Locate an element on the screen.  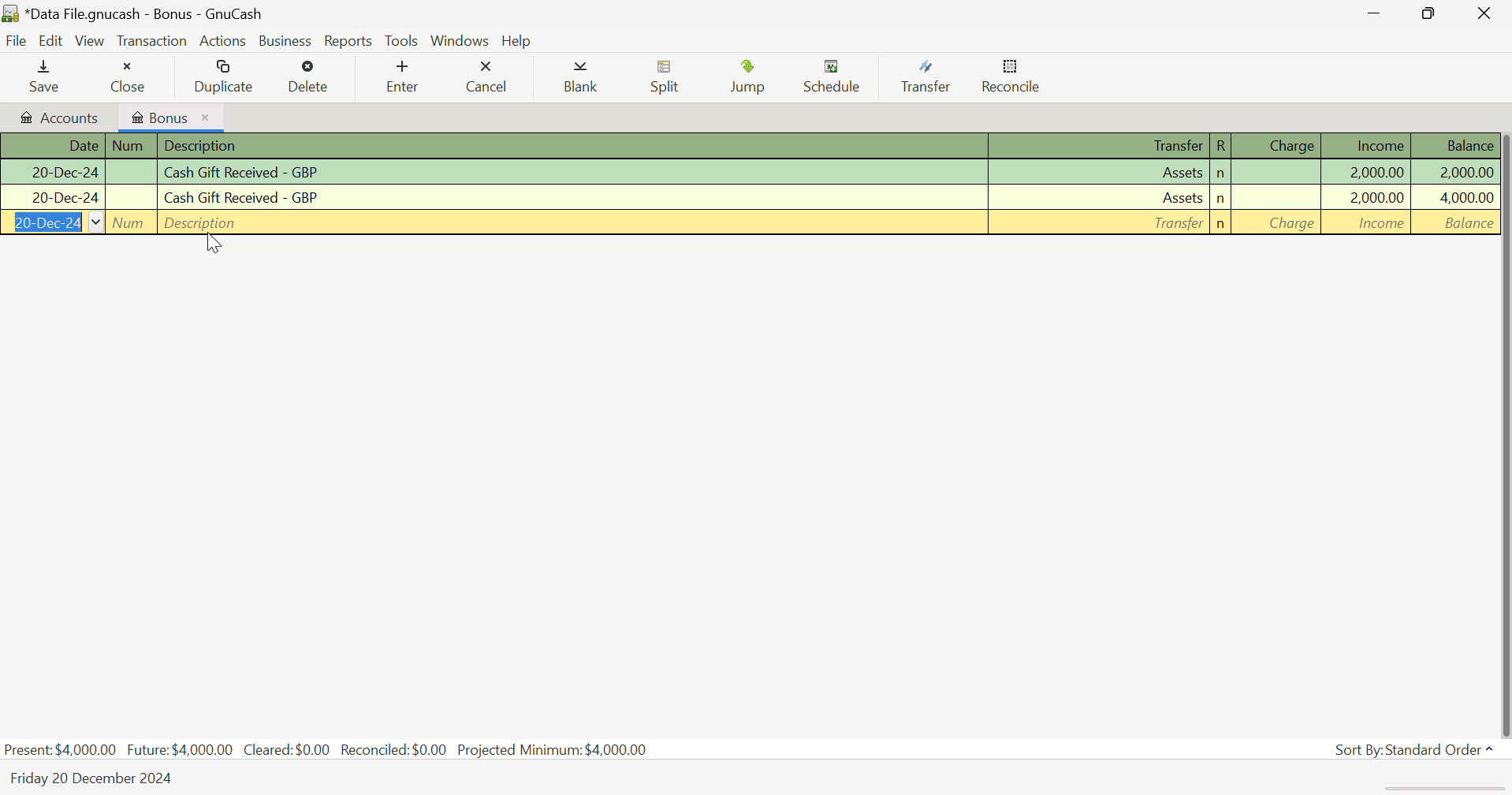
Income is located at coordinates (1369, 198).